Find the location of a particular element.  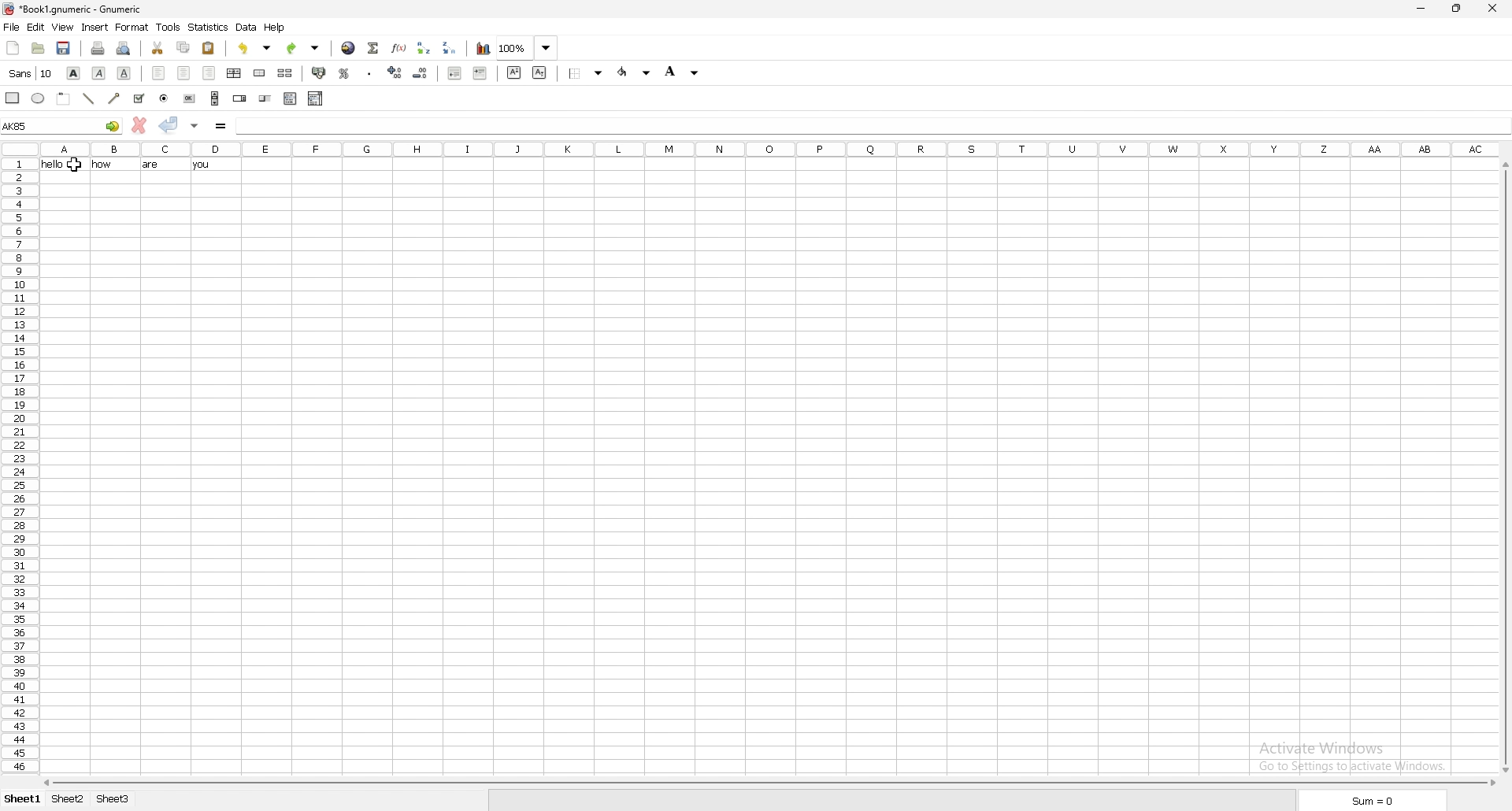

are is located at coordinates (152, 165).